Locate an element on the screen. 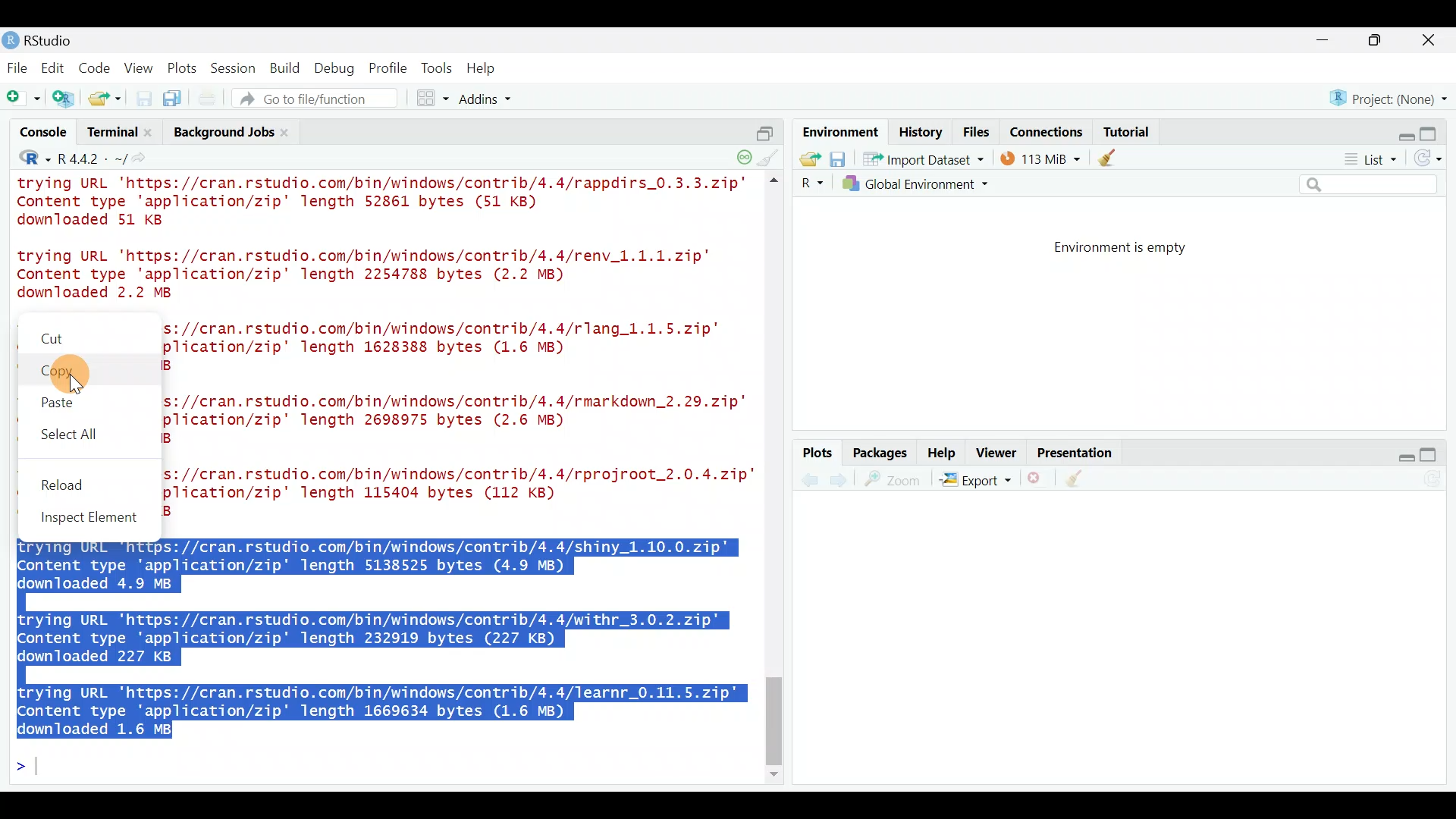 The height and width of the screenshot is (819, 1456). Help is located at coordinates (943, 451).